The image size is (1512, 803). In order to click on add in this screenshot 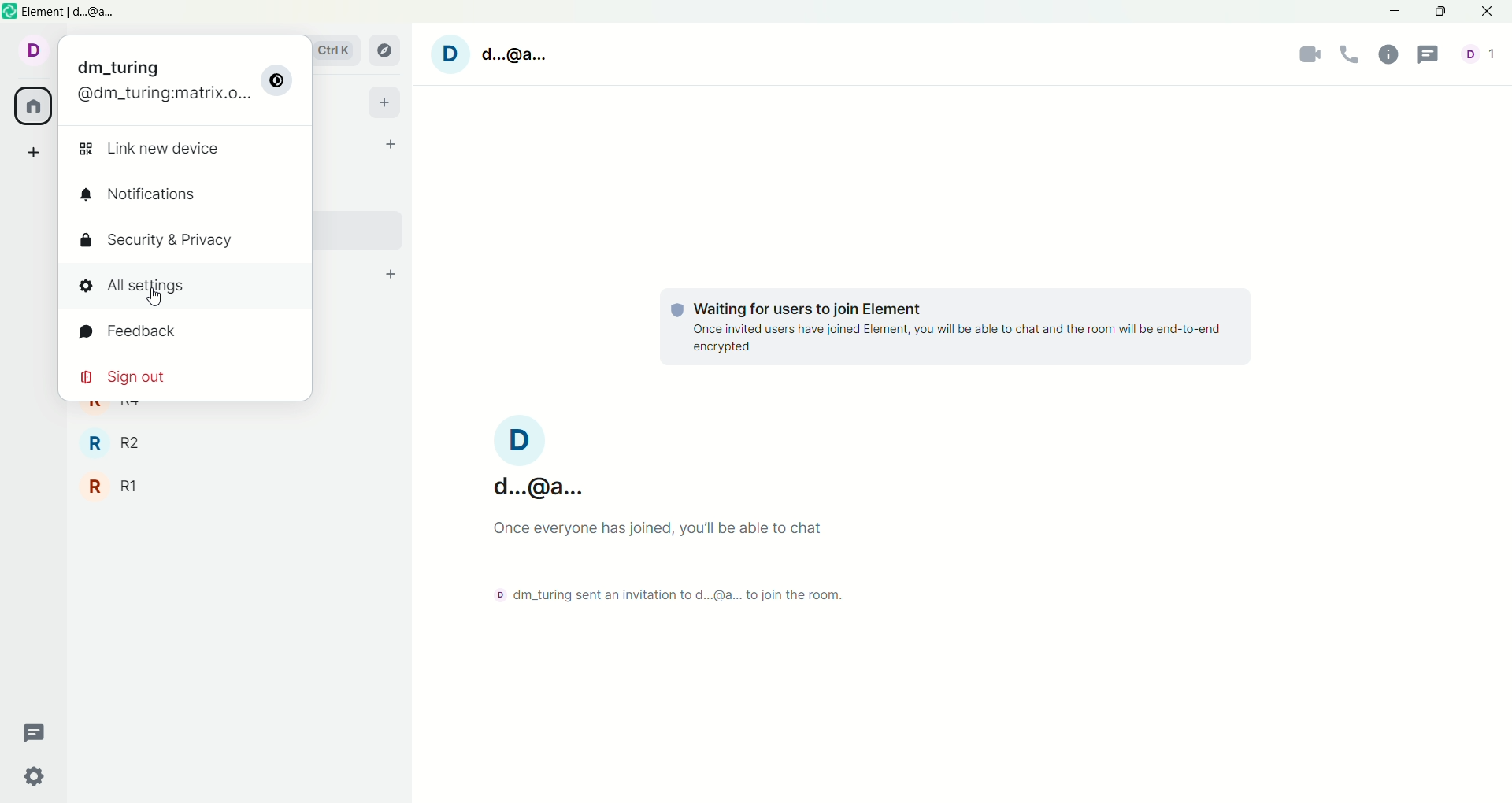, I will do `click(389, 271)`.